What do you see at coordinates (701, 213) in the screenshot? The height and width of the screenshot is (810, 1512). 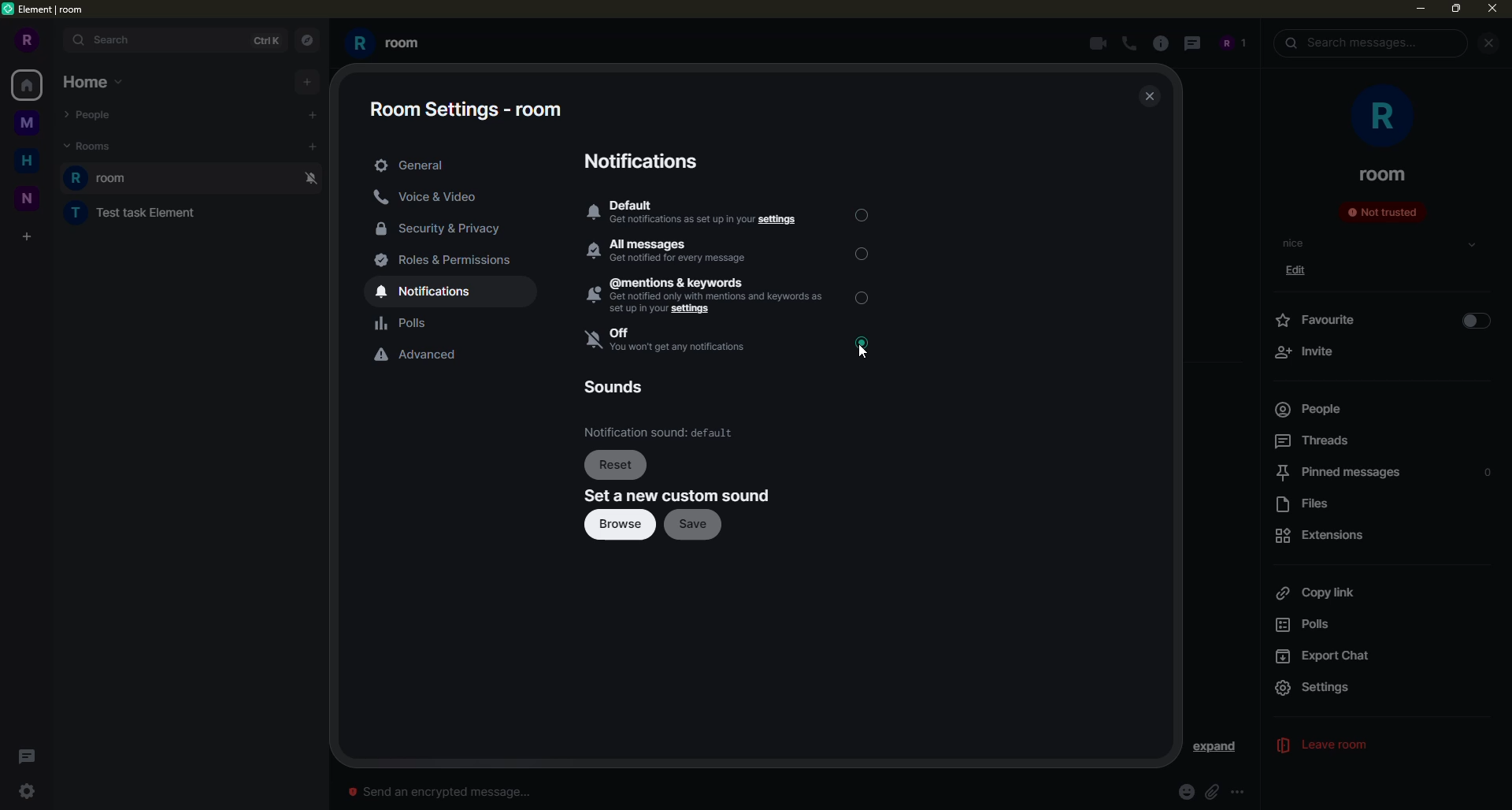 I see `default` at bounding box center [701, 213].